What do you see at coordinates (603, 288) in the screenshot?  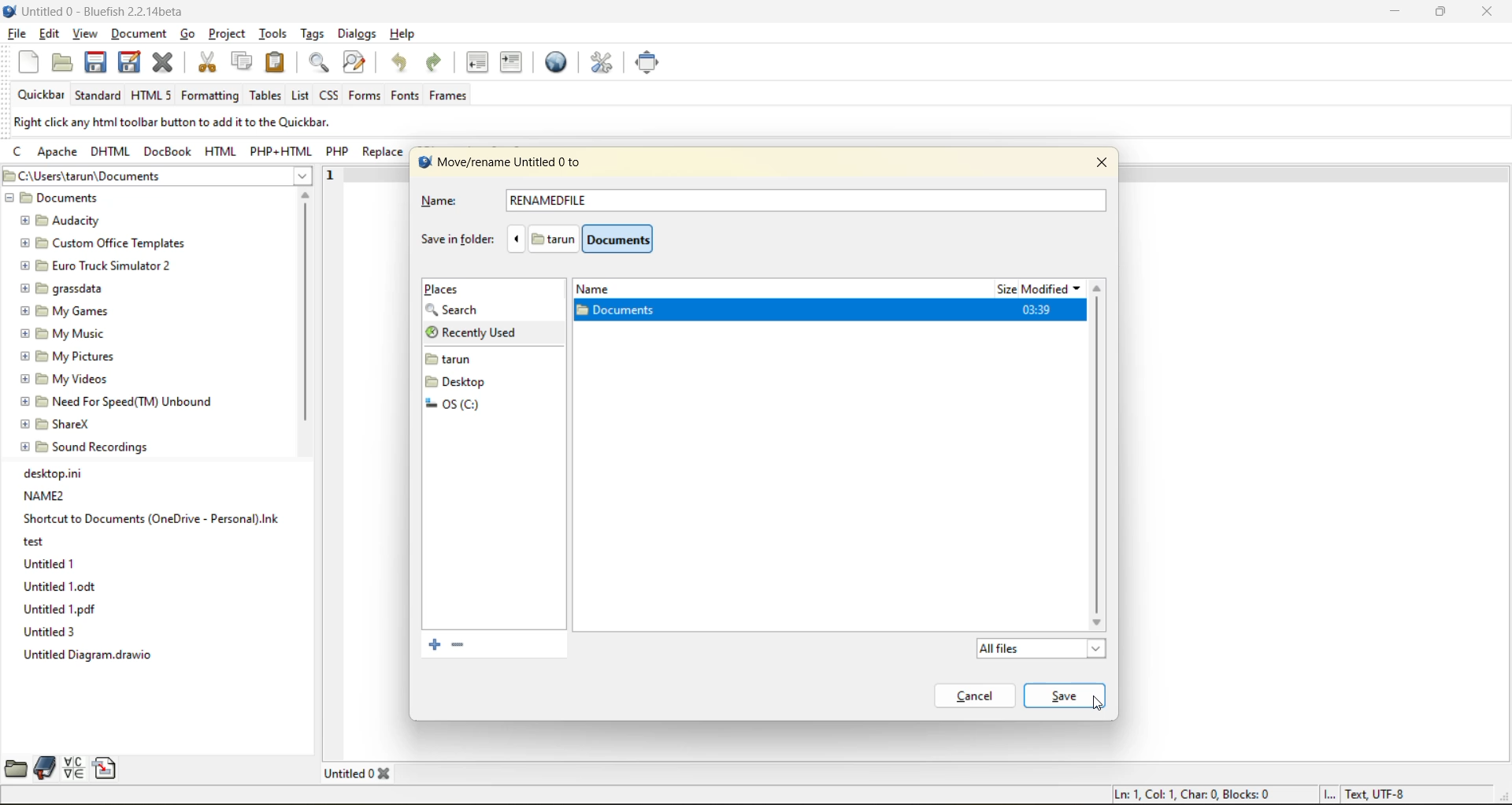 I see `name` at bounding box center [603, 288].